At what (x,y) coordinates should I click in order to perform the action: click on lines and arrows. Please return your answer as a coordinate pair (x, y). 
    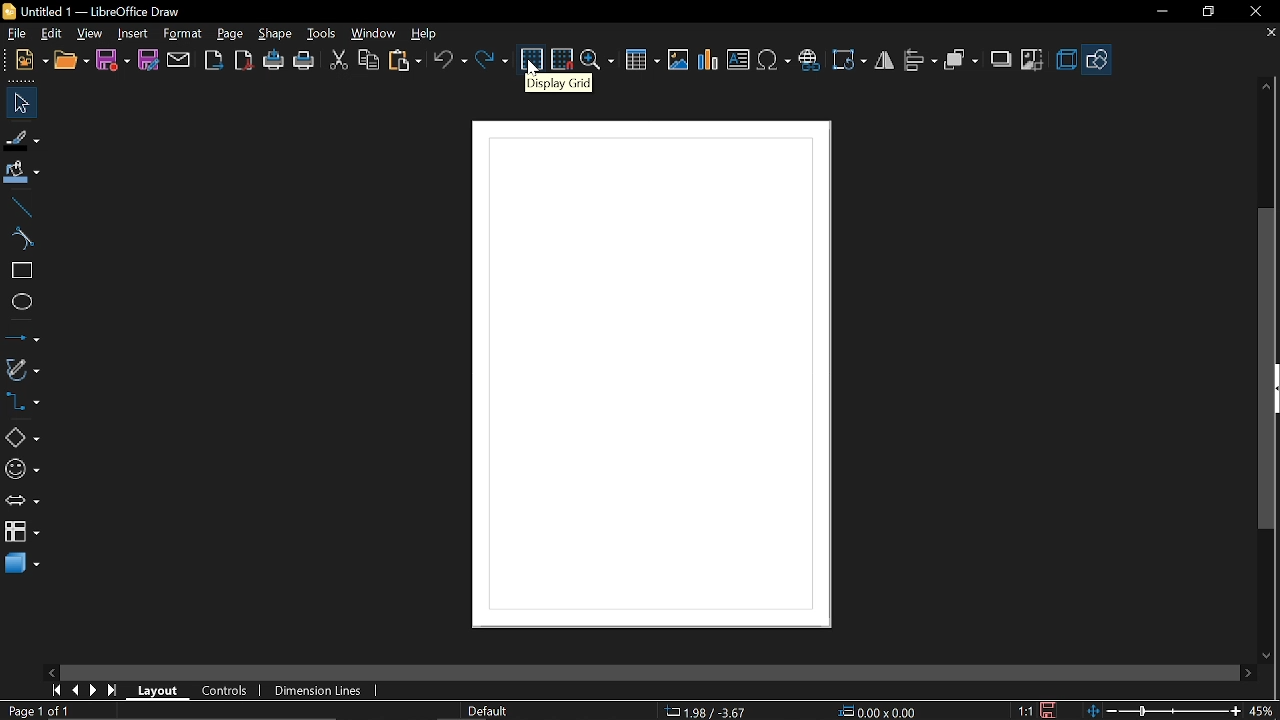
    Looking at the image, I should click on (23, 338).